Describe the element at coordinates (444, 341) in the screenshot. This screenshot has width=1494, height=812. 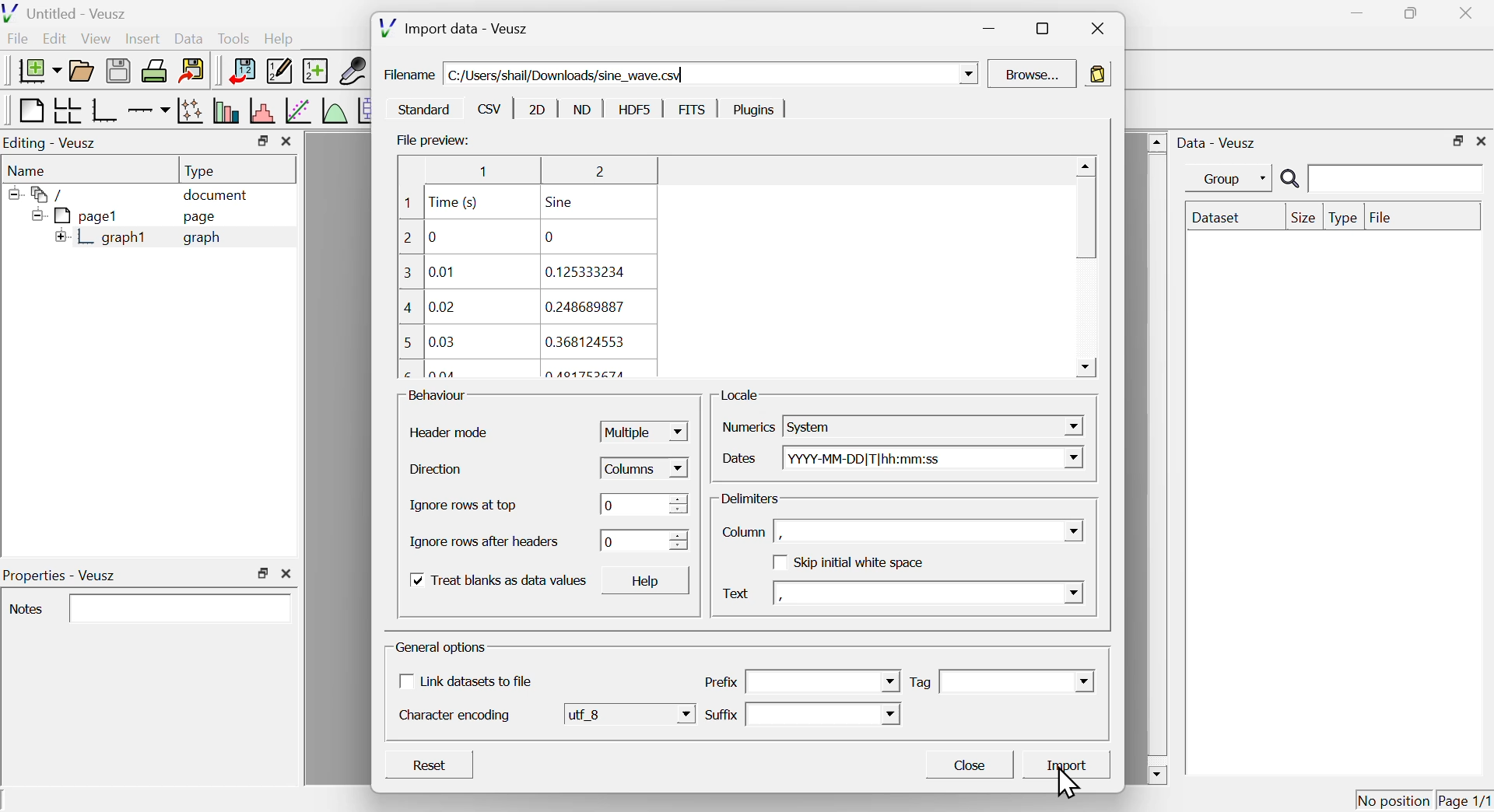
I see `0.03` at that location.